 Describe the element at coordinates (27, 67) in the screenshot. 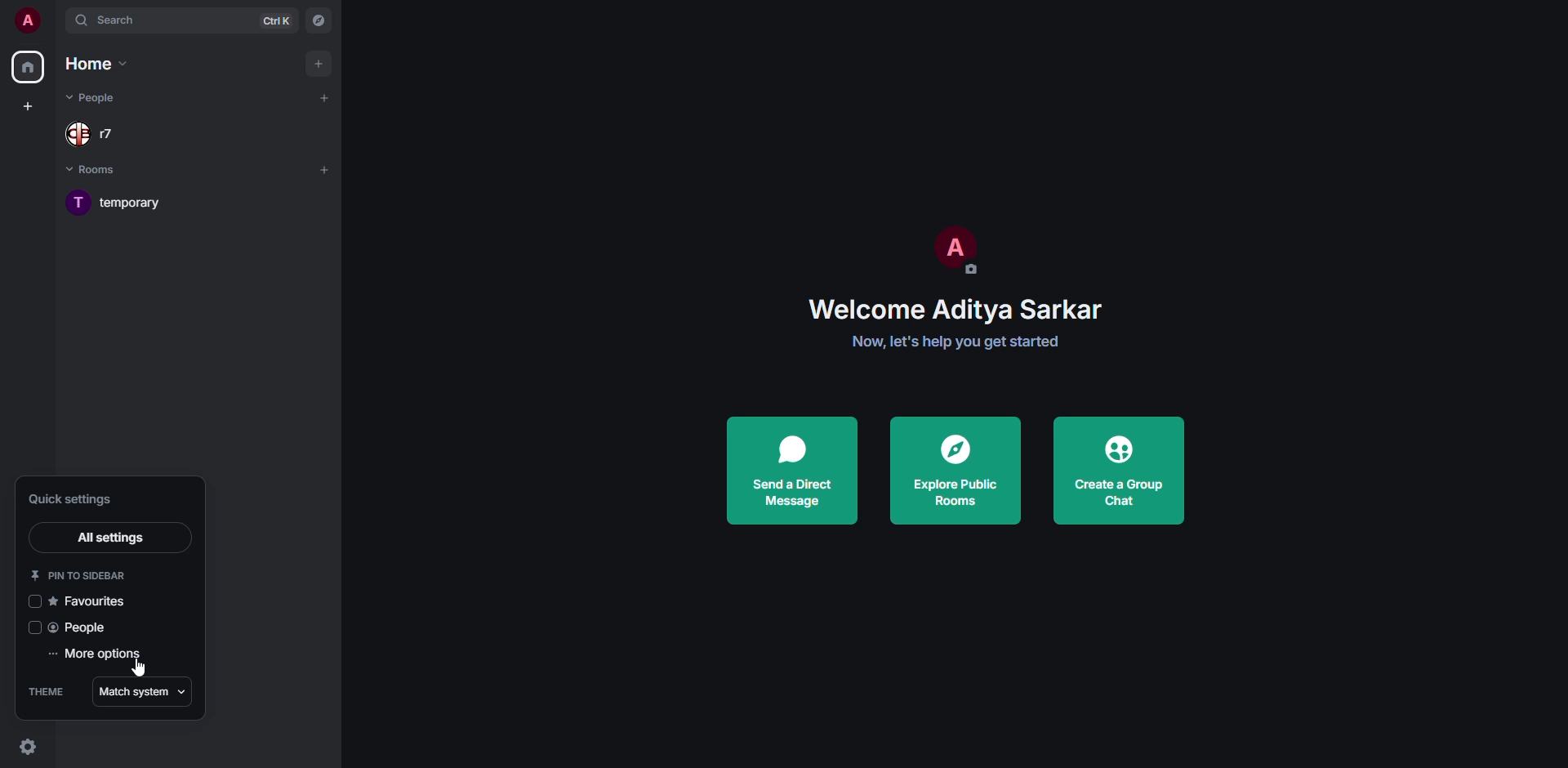

I see `home` at that location.